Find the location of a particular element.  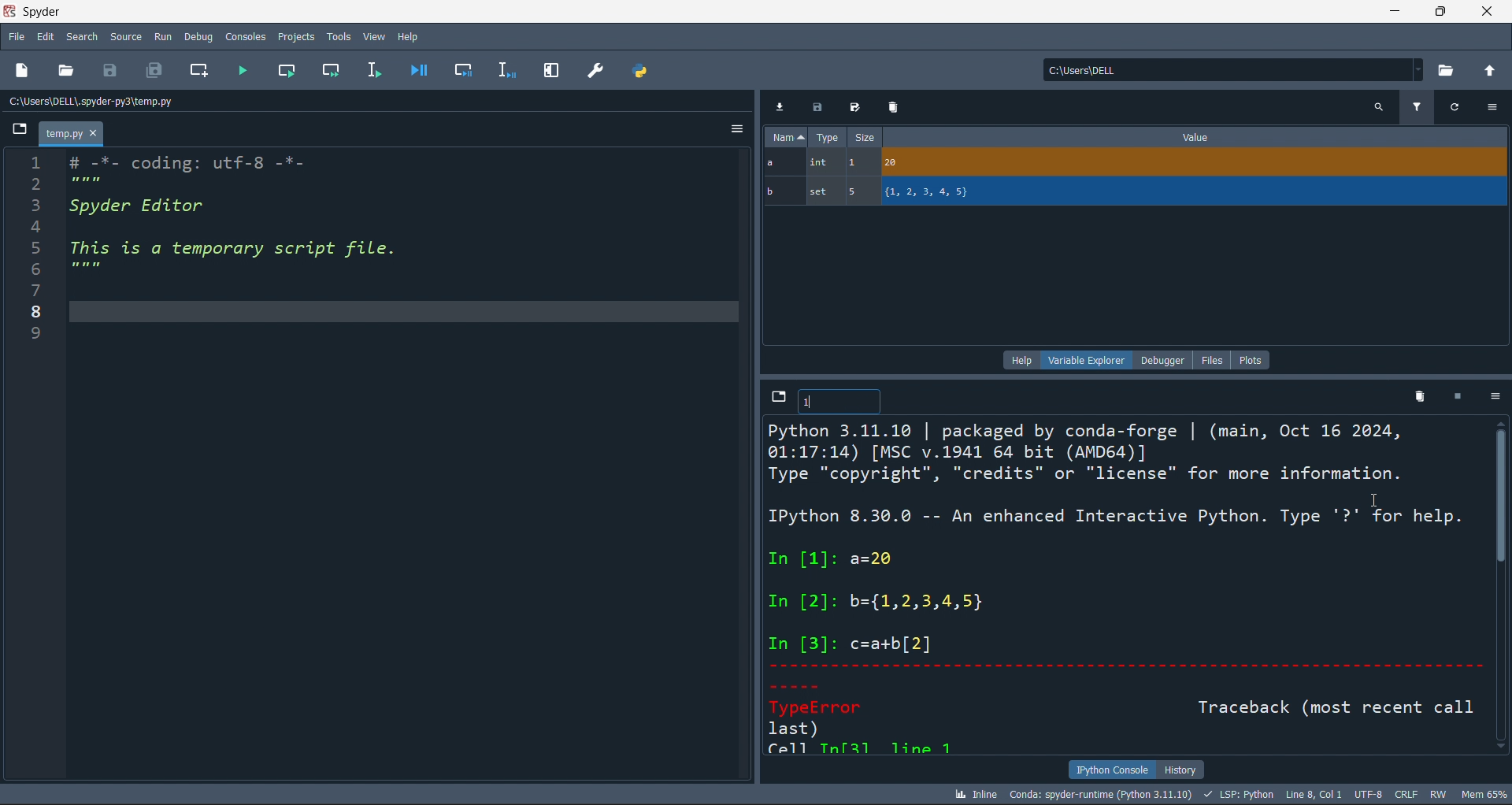

ipython console is located at coordinates (1108, 770).